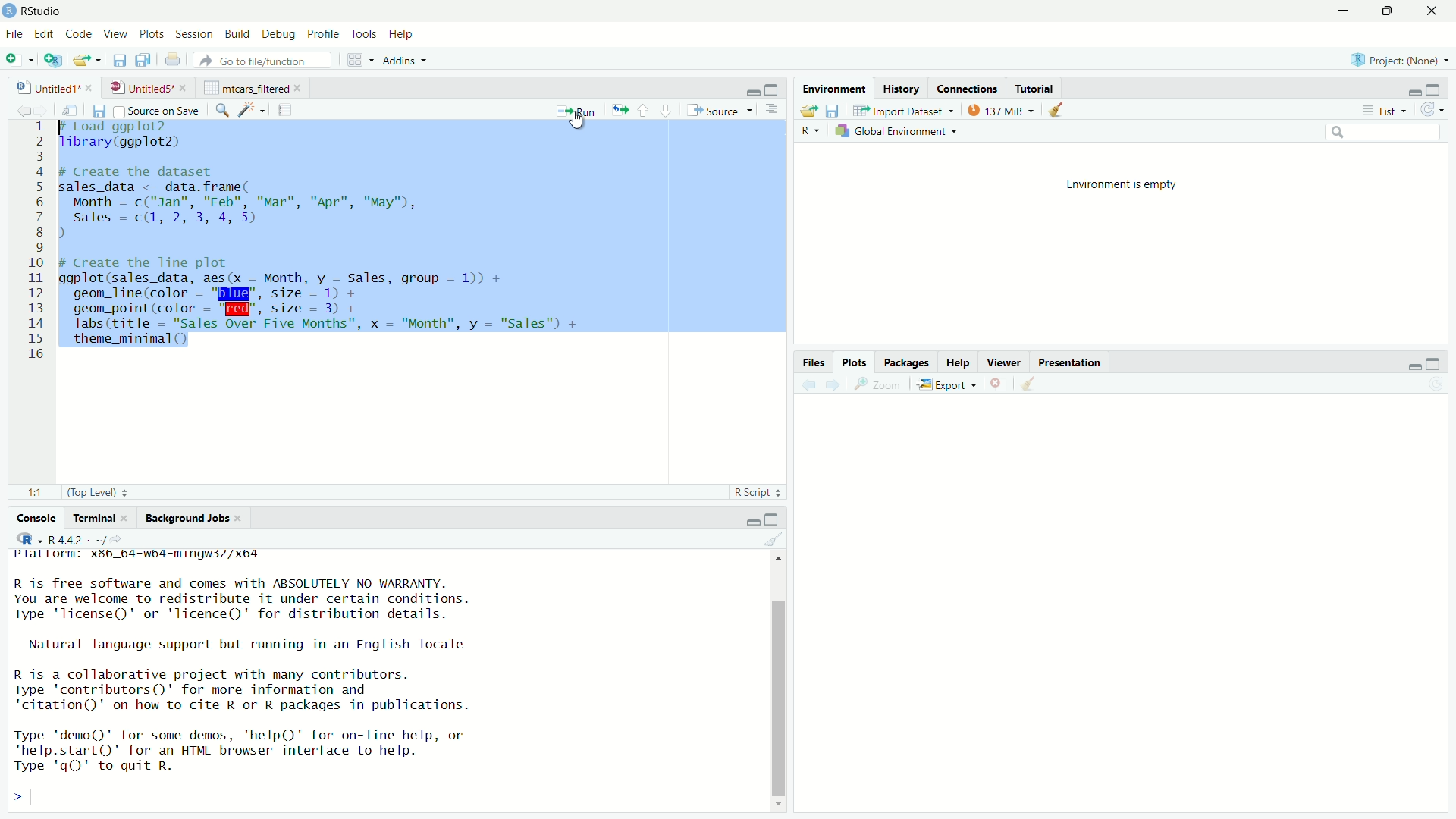 This screenshot has width=1456, height=819. Describe the element at coordinates (580, 121) in the screenshot. I see `cursor` at that location.